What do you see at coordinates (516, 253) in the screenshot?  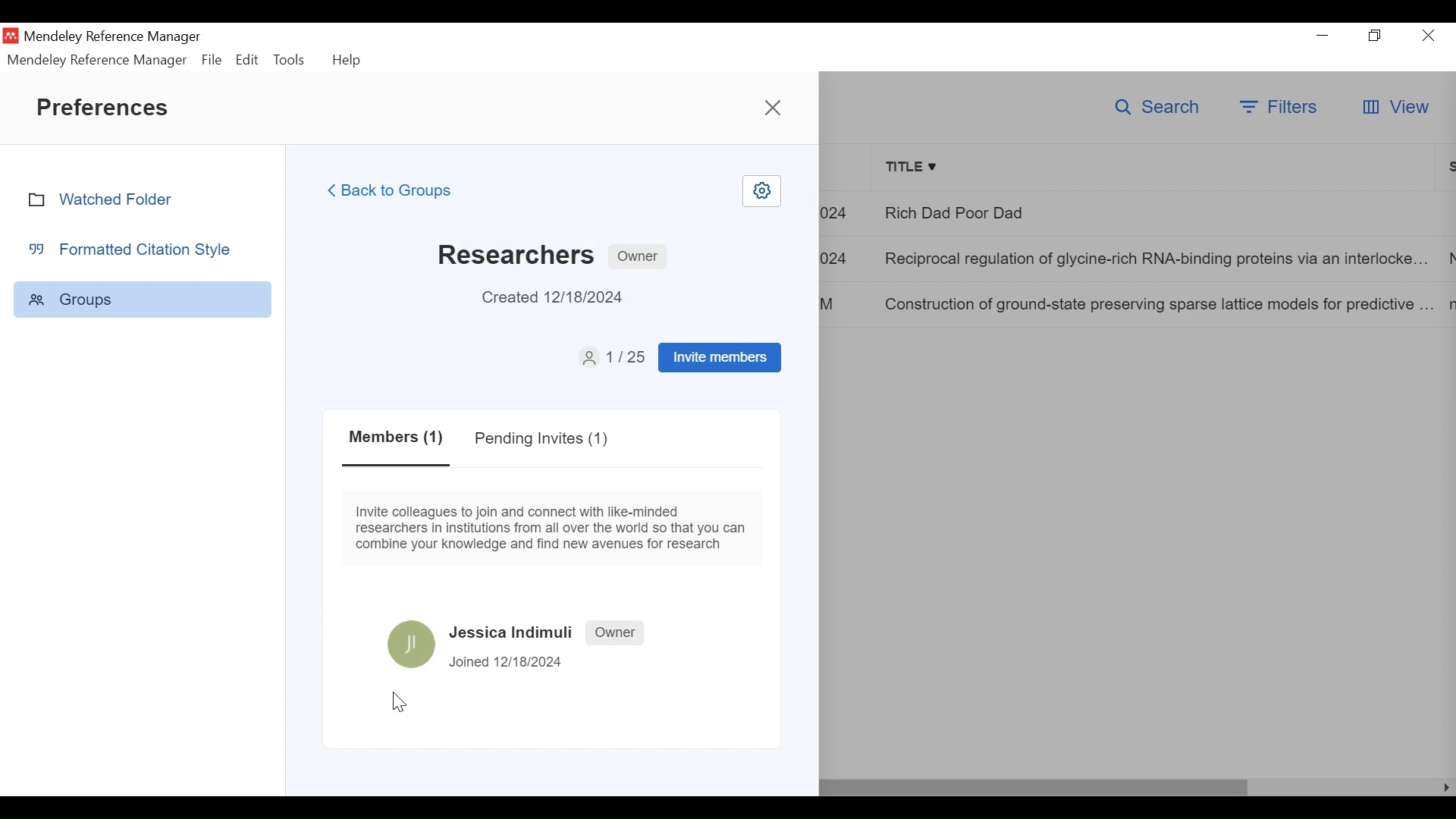 I see `Researchers` at bounding box center [516, 253].